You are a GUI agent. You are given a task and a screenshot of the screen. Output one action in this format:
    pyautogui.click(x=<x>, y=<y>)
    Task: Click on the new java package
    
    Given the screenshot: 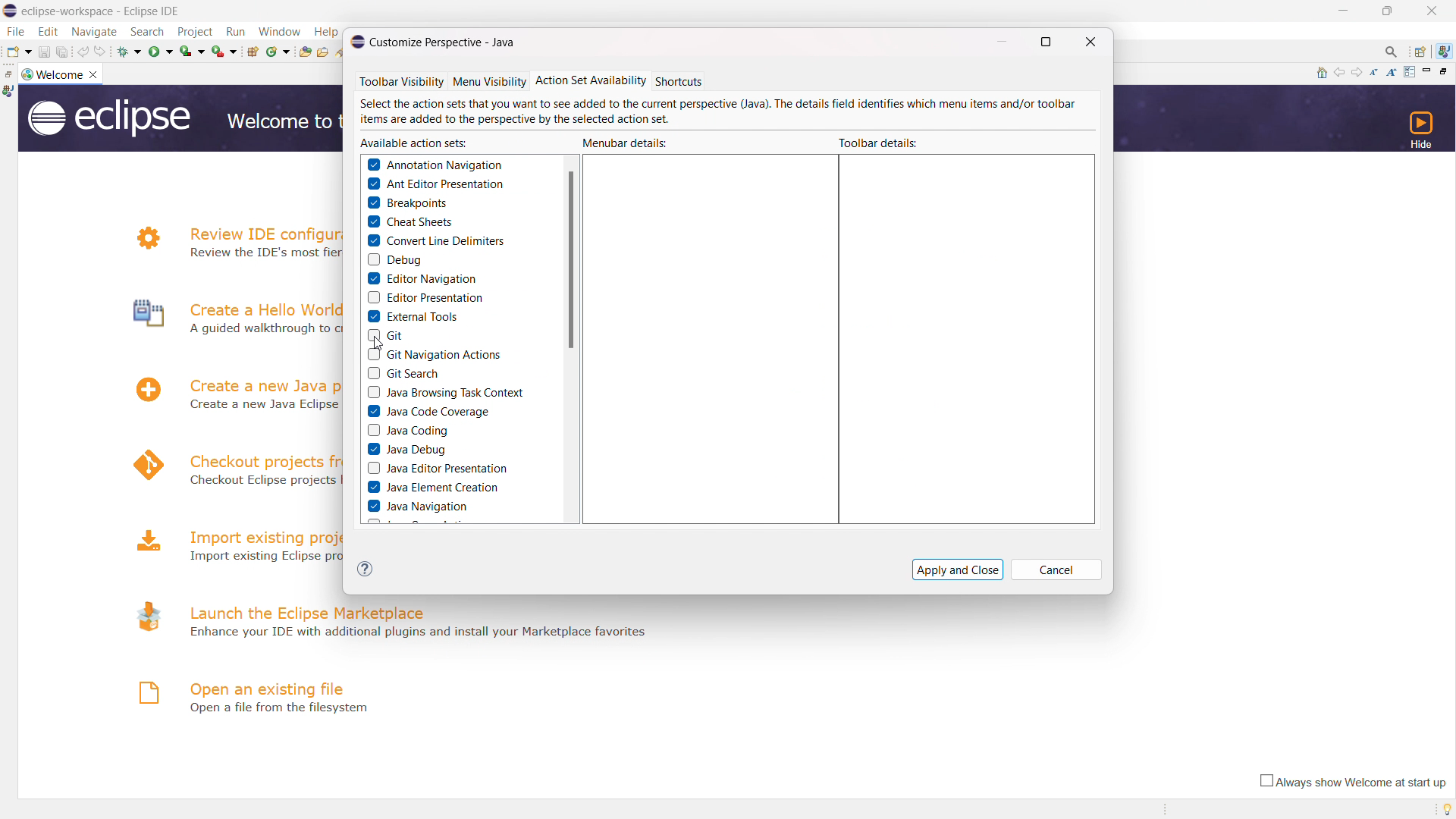 What is the action you would take?
    pyautogui.click(x=253, y=52)
    